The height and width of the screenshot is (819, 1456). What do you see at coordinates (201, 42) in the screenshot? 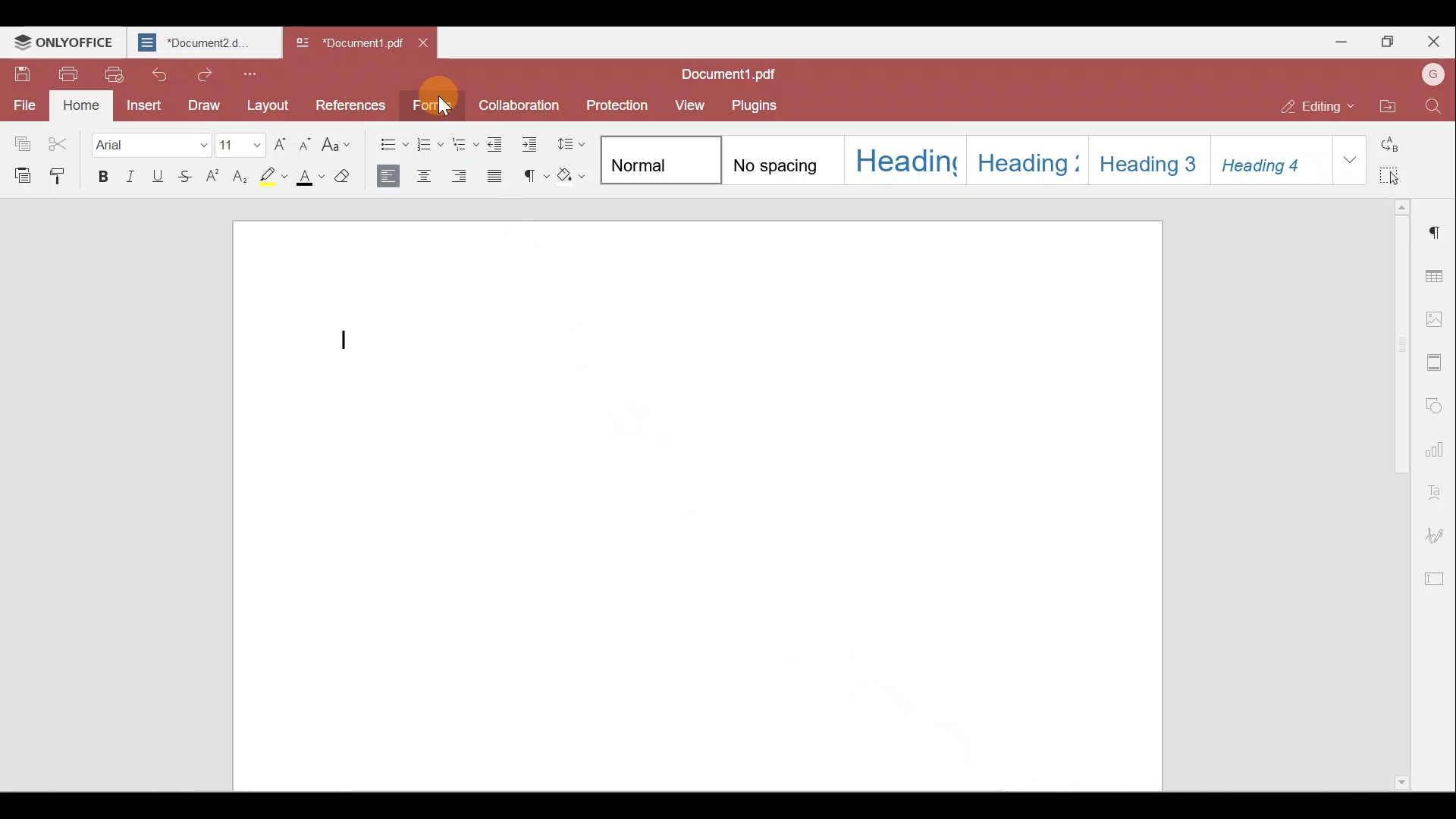
I see `*Document2.d.` at bounding box center [201, 42].